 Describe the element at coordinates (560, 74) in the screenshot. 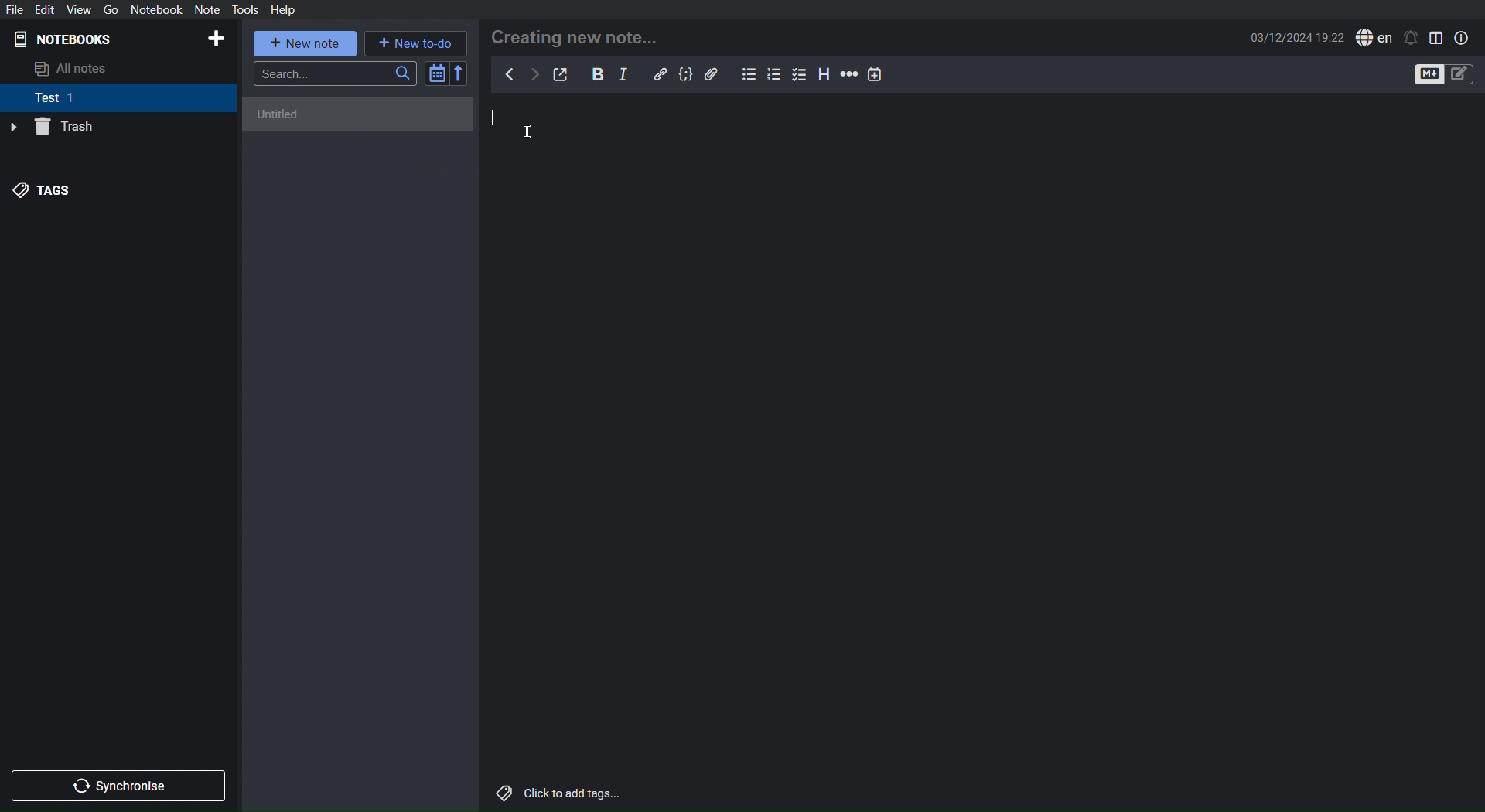

I see `Edit externally` at that location.